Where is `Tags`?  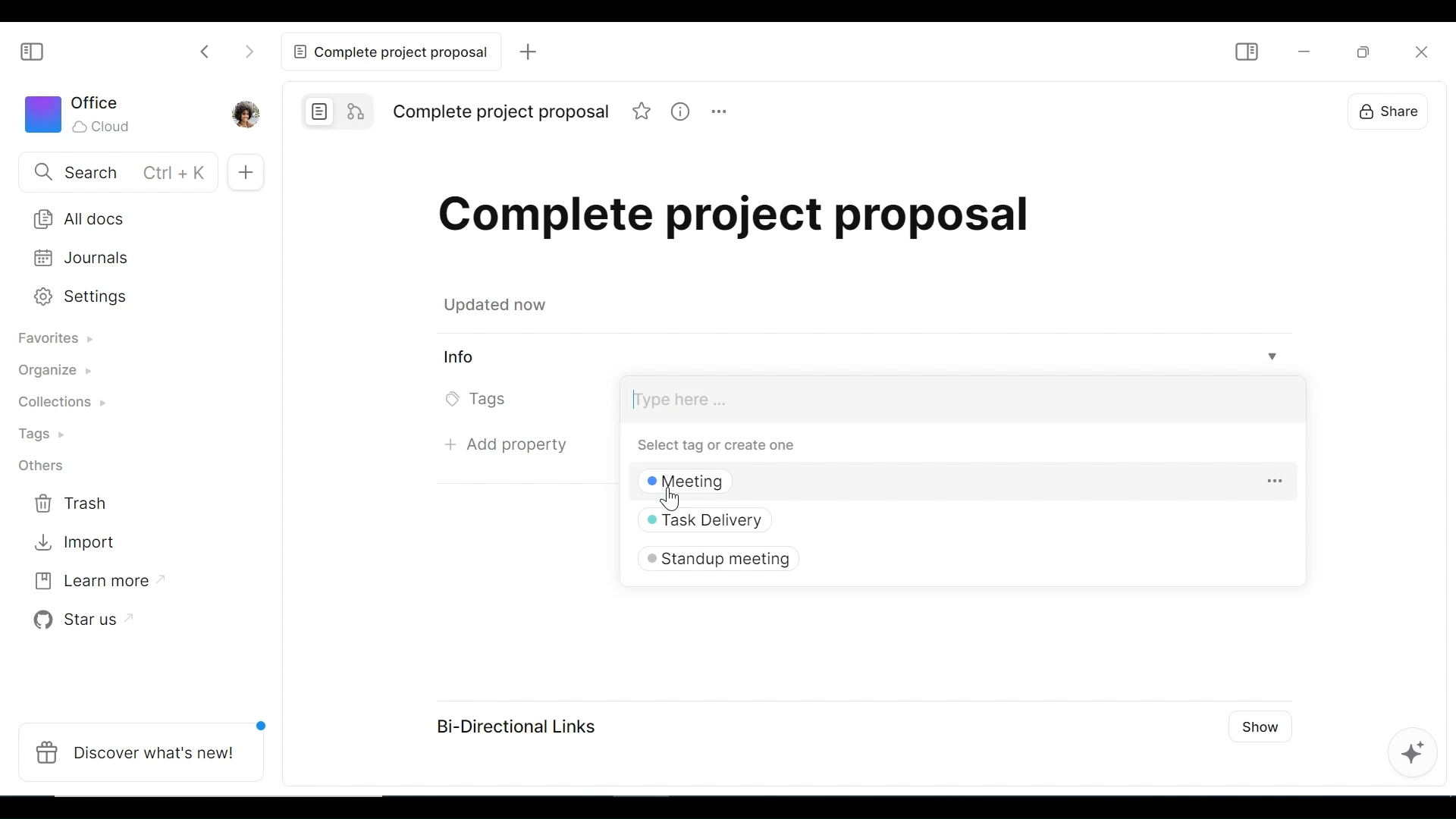 Tags is located at coordinates (482, 398).